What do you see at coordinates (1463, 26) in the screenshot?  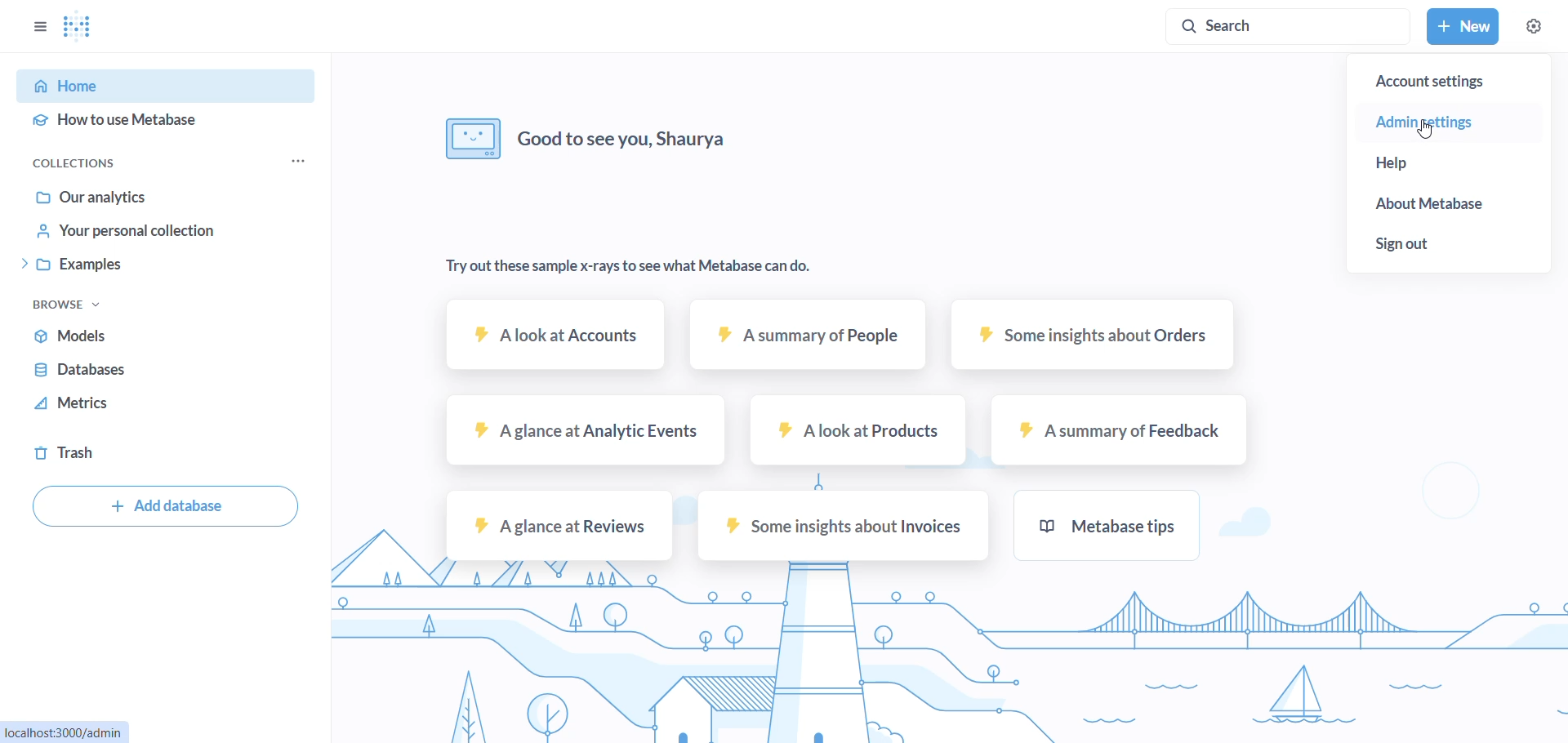 I see `new button` at bounding box center [1463, 26].